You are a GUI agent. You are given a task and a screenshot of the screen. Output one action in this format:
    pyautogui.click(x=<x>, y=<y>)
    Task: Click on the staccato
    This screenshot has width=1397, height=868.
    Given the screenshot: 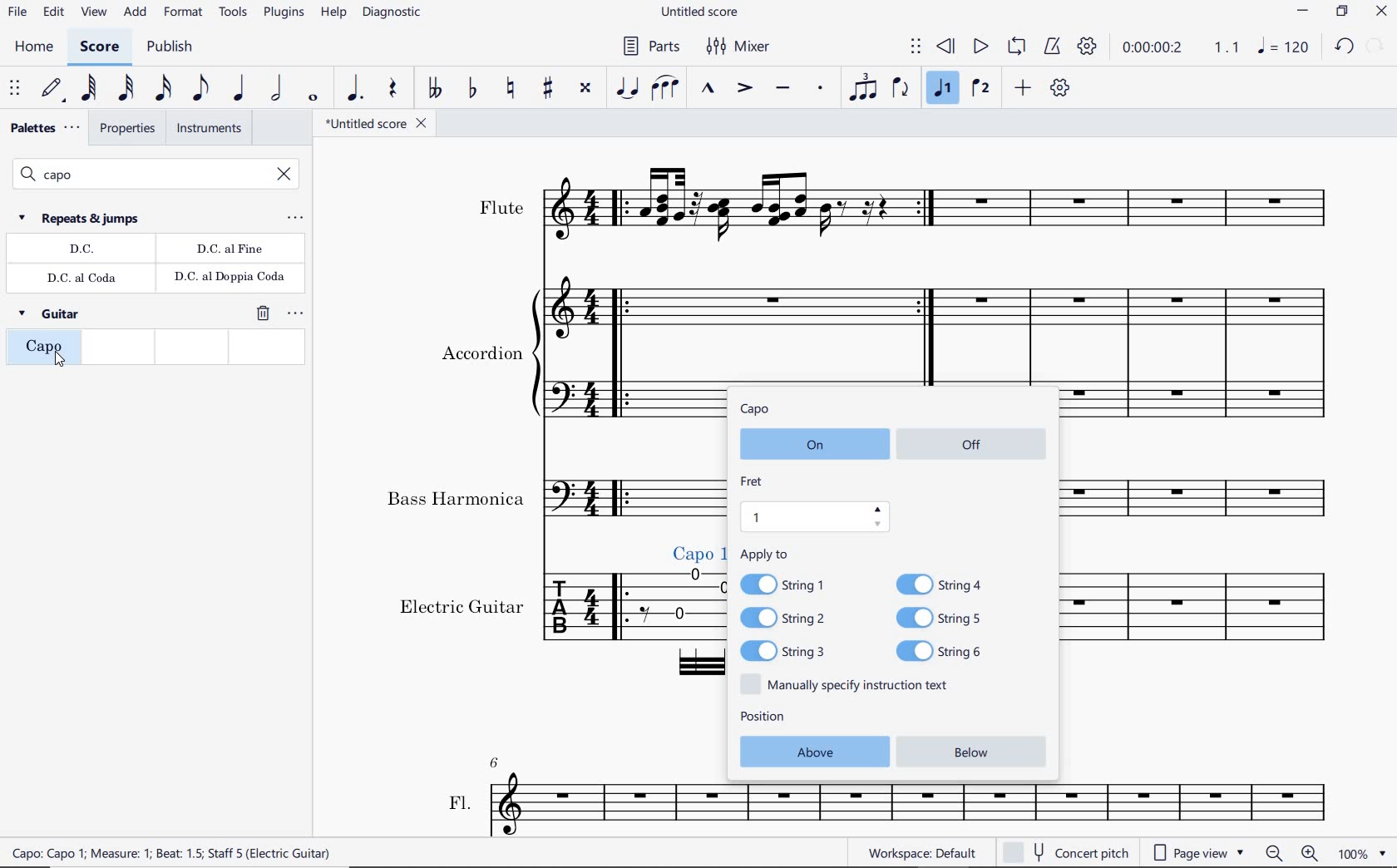 What is the action you would take?
    pyautogui.click(x=821, y=89)
    